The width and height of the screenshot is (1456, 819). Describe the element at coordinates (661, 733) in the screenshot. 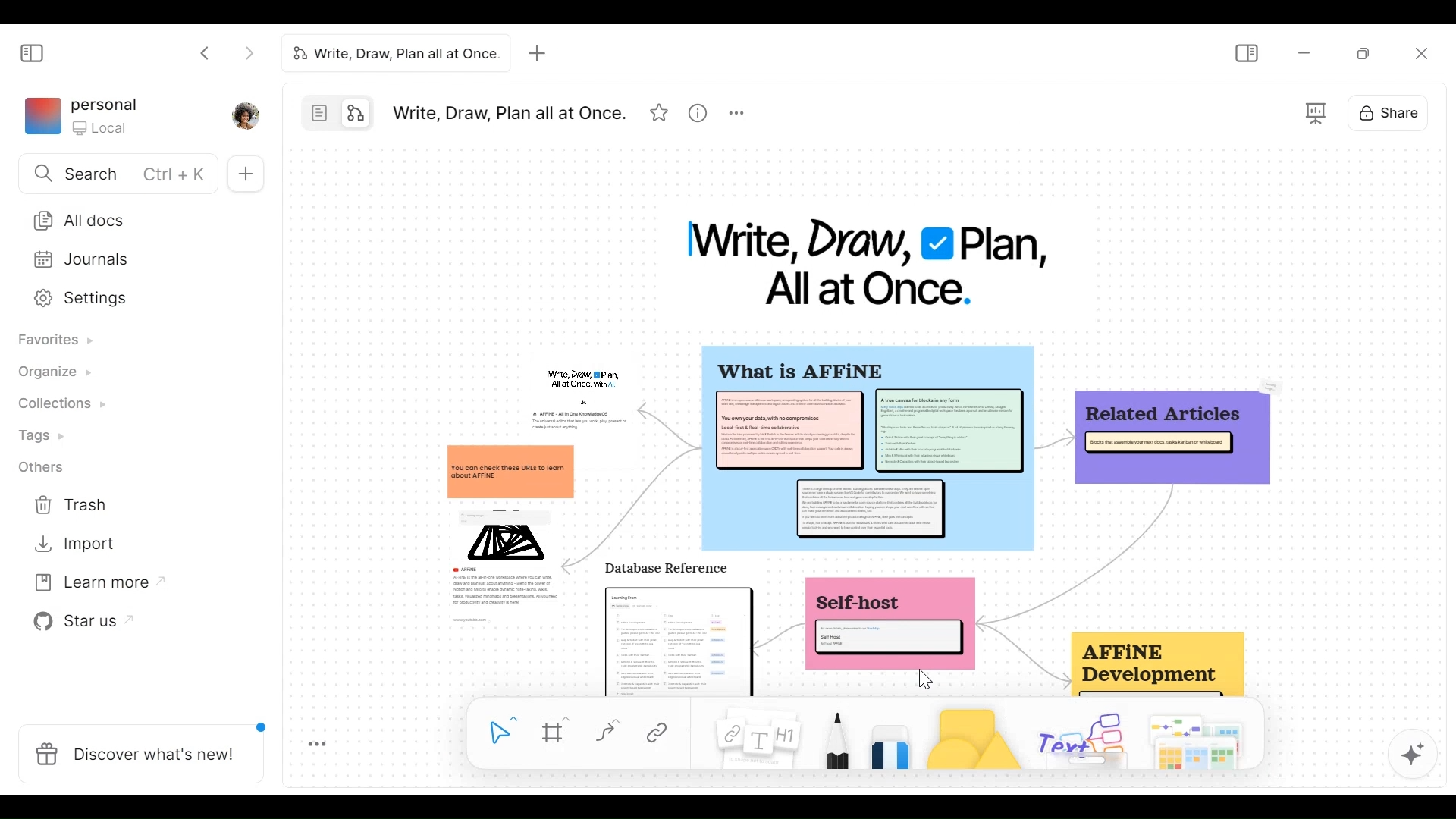

I see `Link` at that location.